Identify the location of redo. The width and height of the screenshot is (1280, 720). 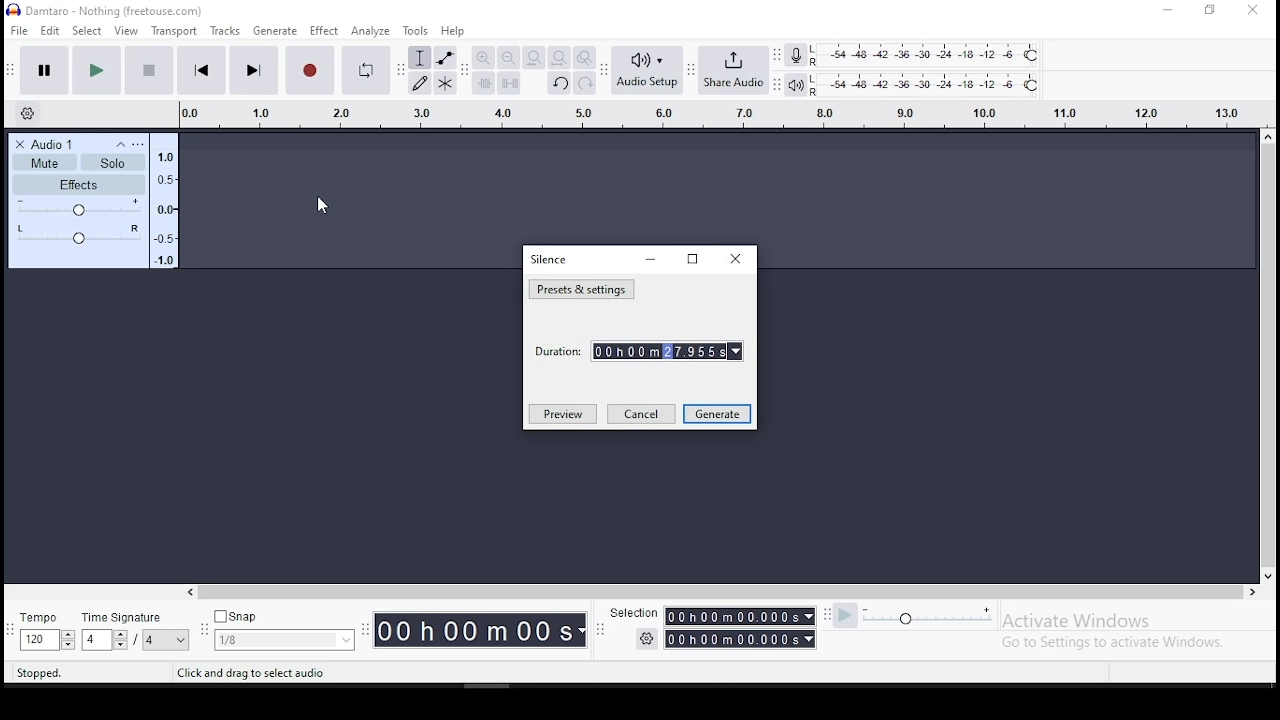
(585, 83).